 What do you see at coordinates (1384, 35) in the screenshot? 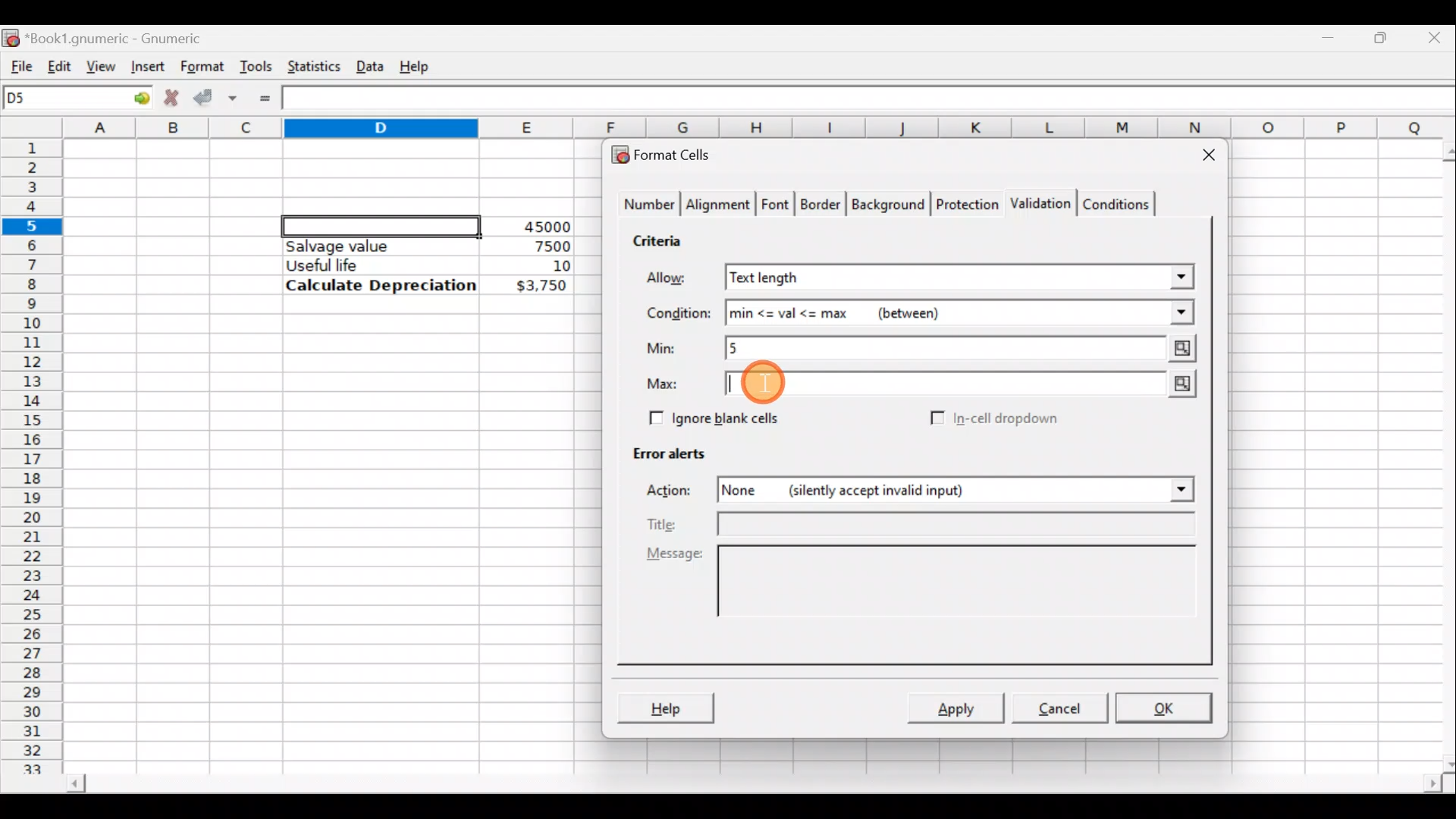
I see `Maximize` at bounding box center [1384, 35].